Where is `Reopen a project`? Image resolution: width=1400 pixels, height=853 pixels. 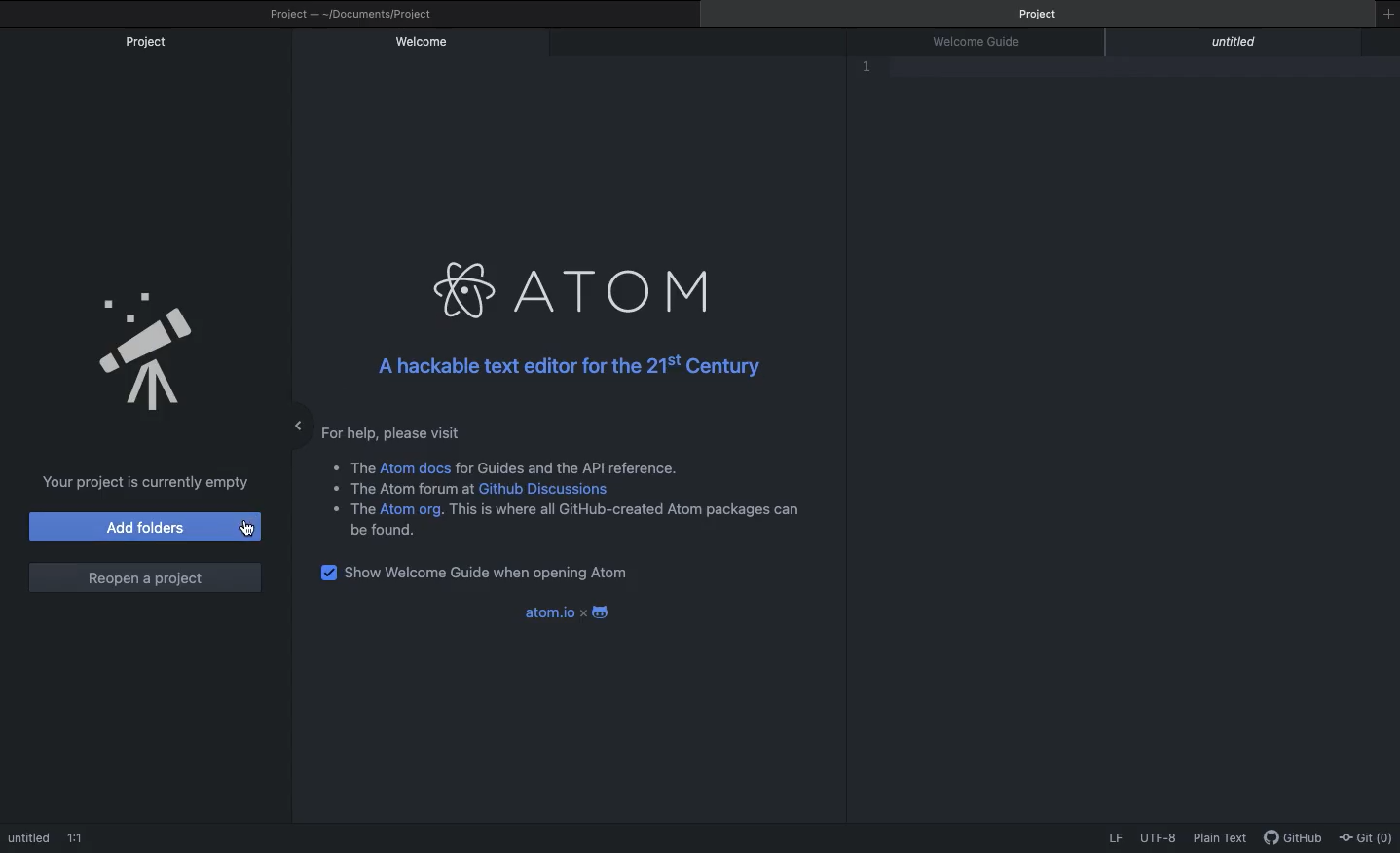
Reopen a project is located at coordinates (145, 576).